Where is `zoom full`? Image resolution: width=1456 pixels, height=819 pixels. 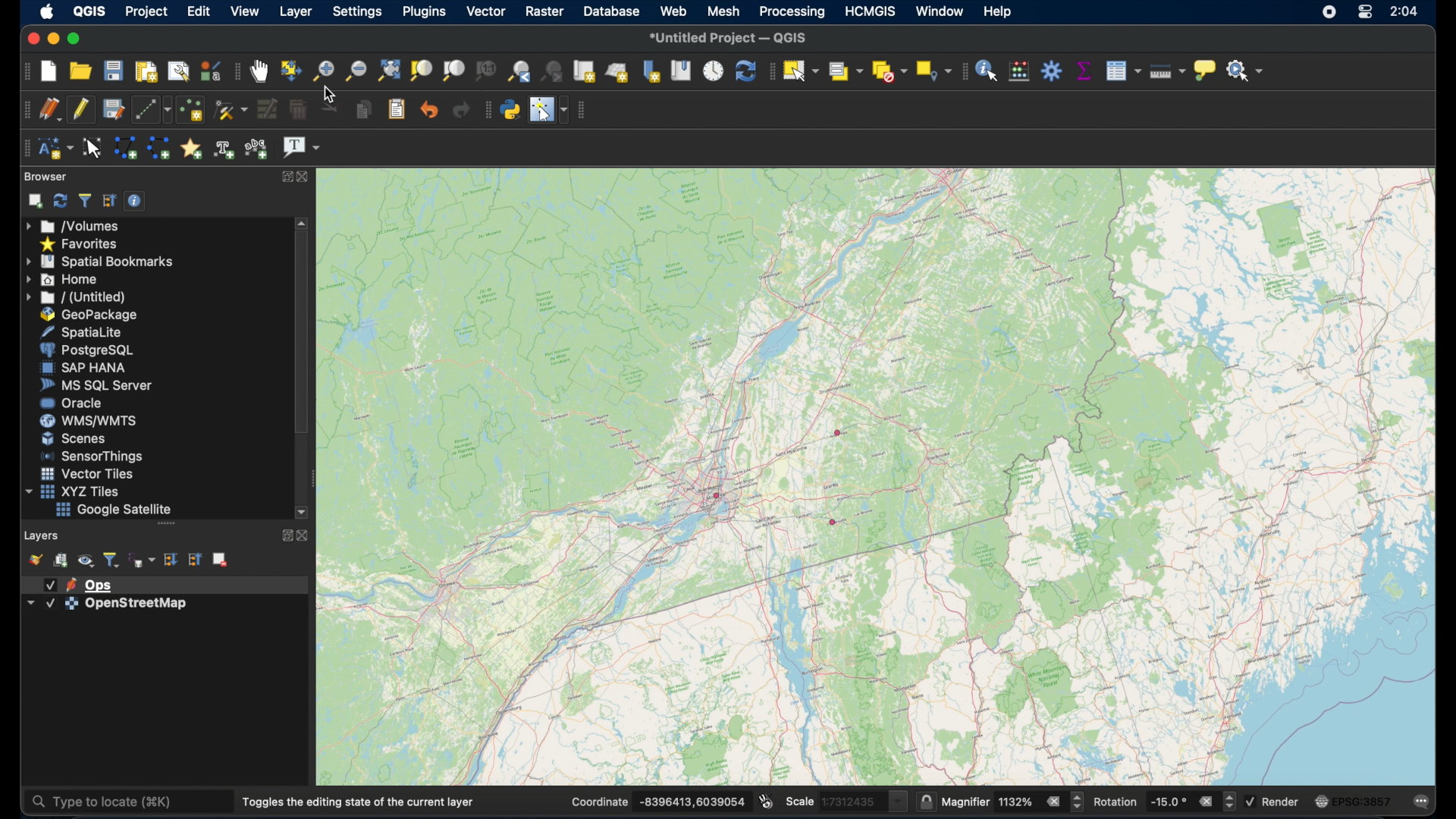
zoom full is located at coordinates (388, 72).